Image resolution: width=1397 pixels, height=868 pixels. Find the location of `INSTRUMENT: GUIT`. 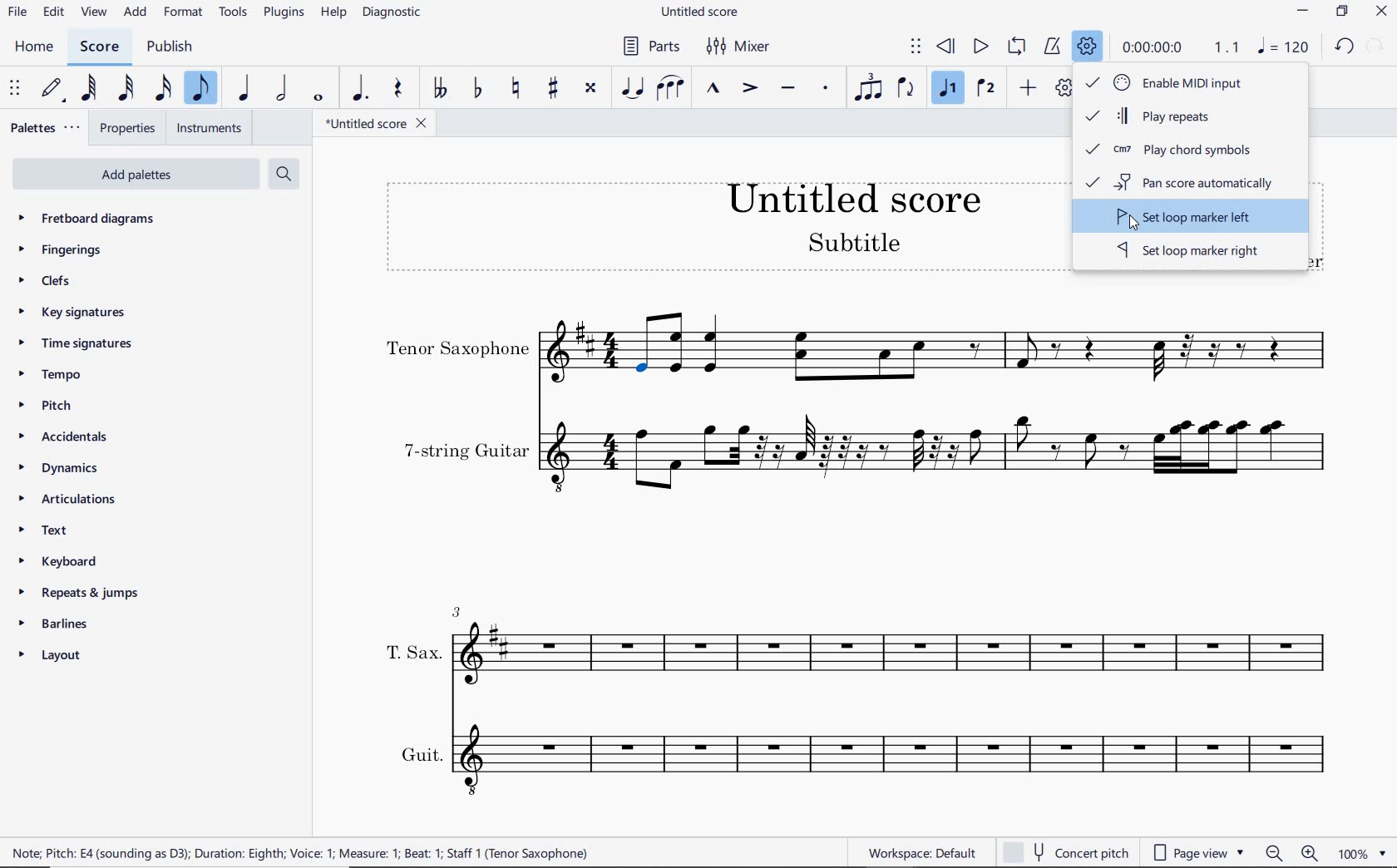

INSTRUMENT: GUIT is located at coordinates (855, 757).